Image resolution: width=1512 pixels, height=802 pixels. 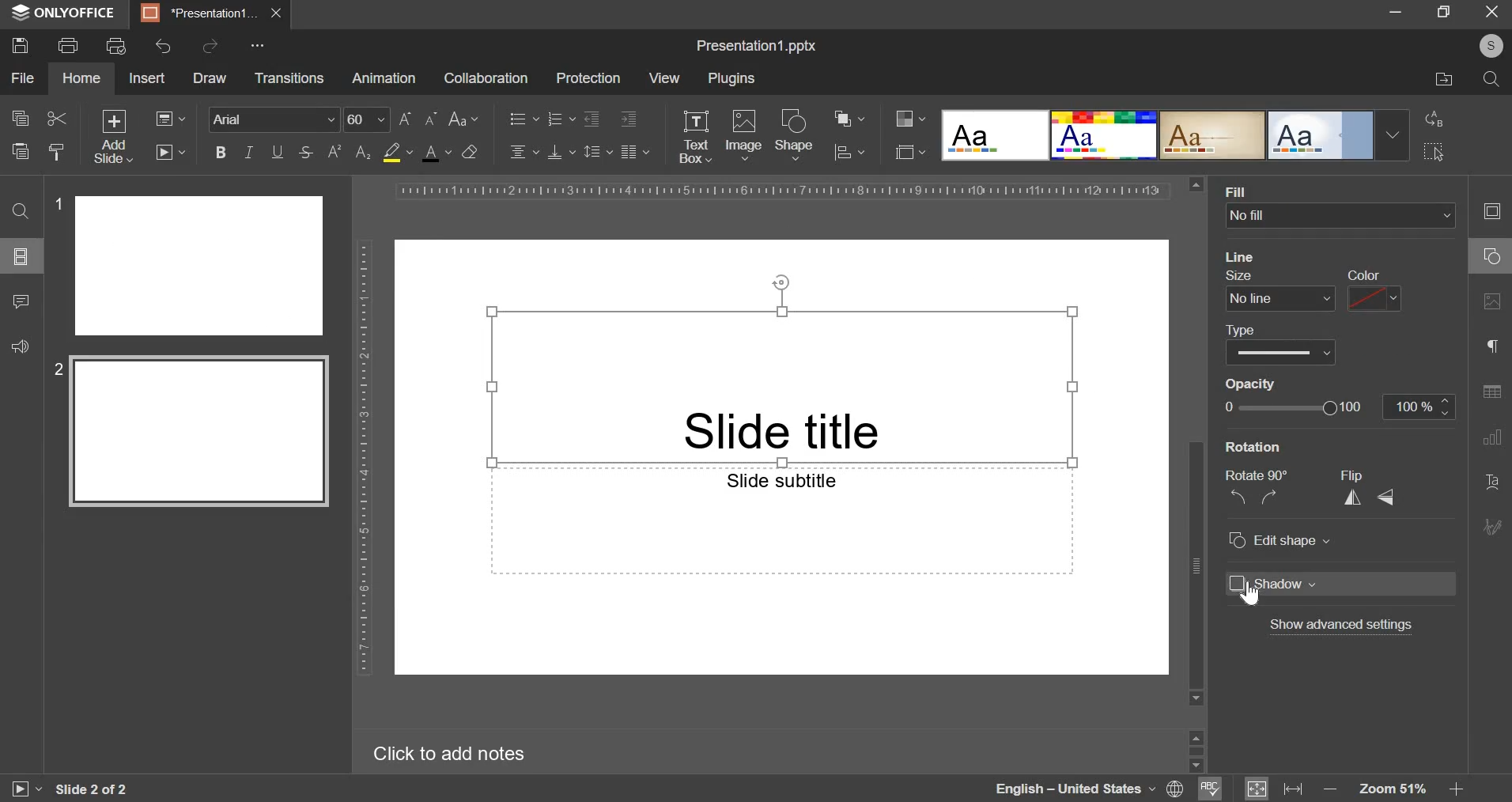 I want to click on view, so click(x=663, y=78).